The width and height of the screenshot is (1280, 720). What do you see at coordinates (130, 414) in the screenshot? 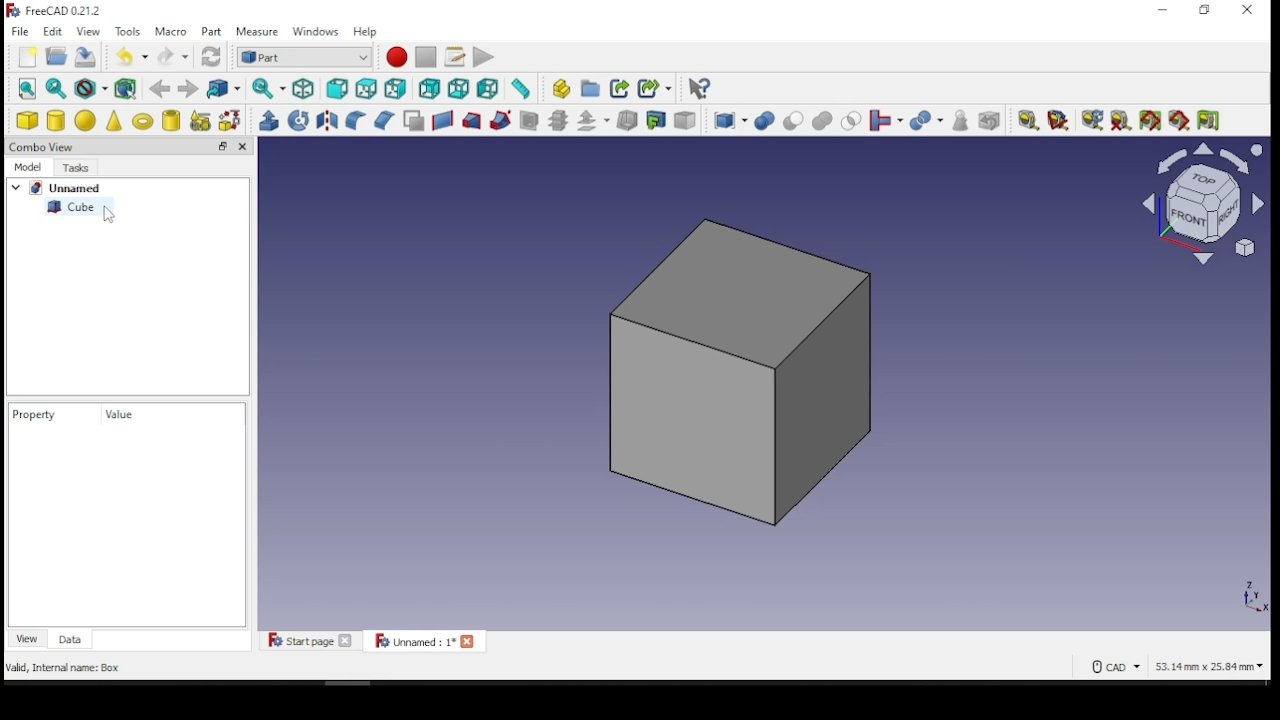
I see `value` at bounding box center [130, 414].